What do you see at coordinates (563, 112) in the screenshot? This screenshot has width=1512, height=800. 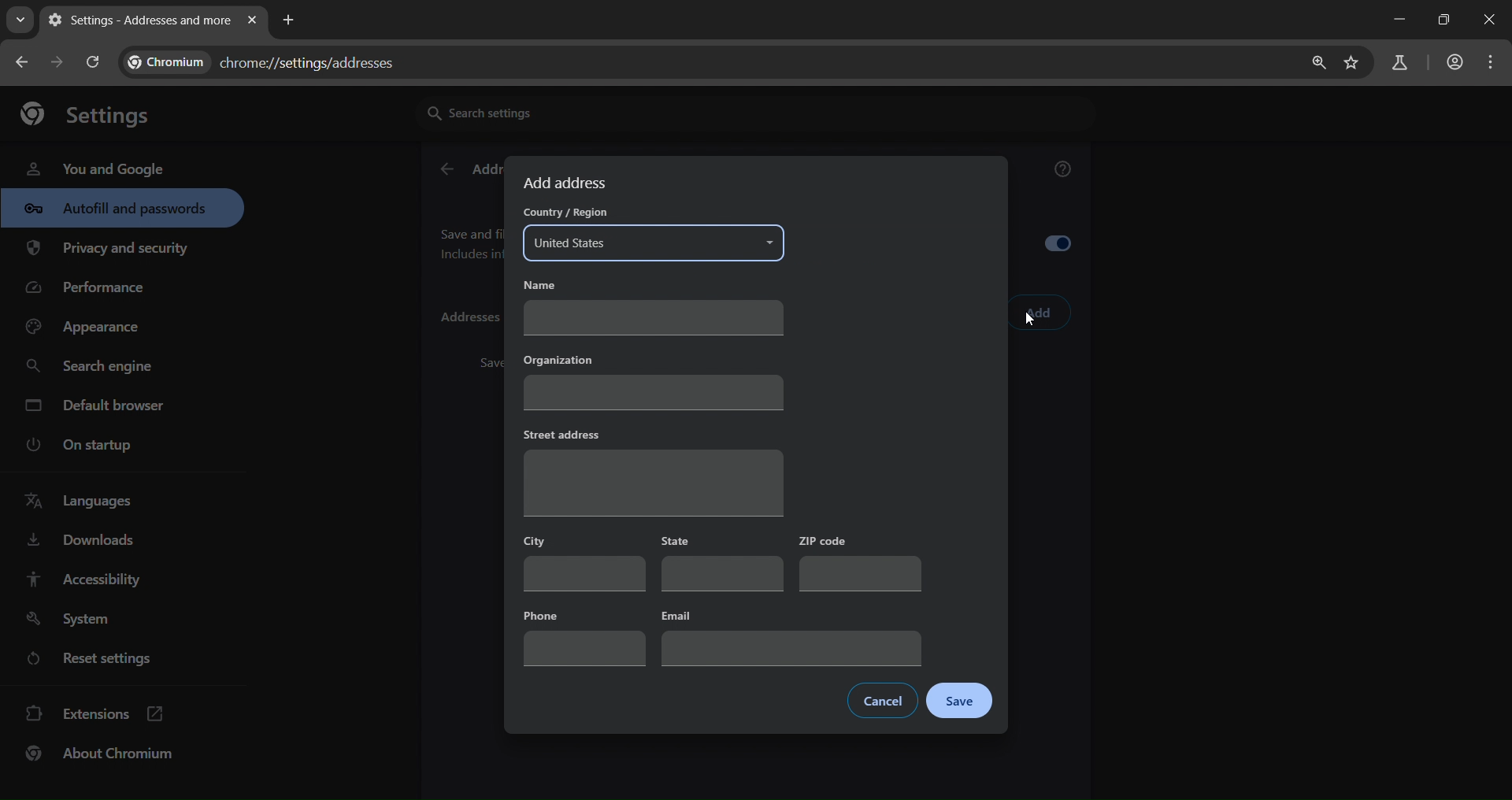 I see `search settings` at bounding box center [563, 112].